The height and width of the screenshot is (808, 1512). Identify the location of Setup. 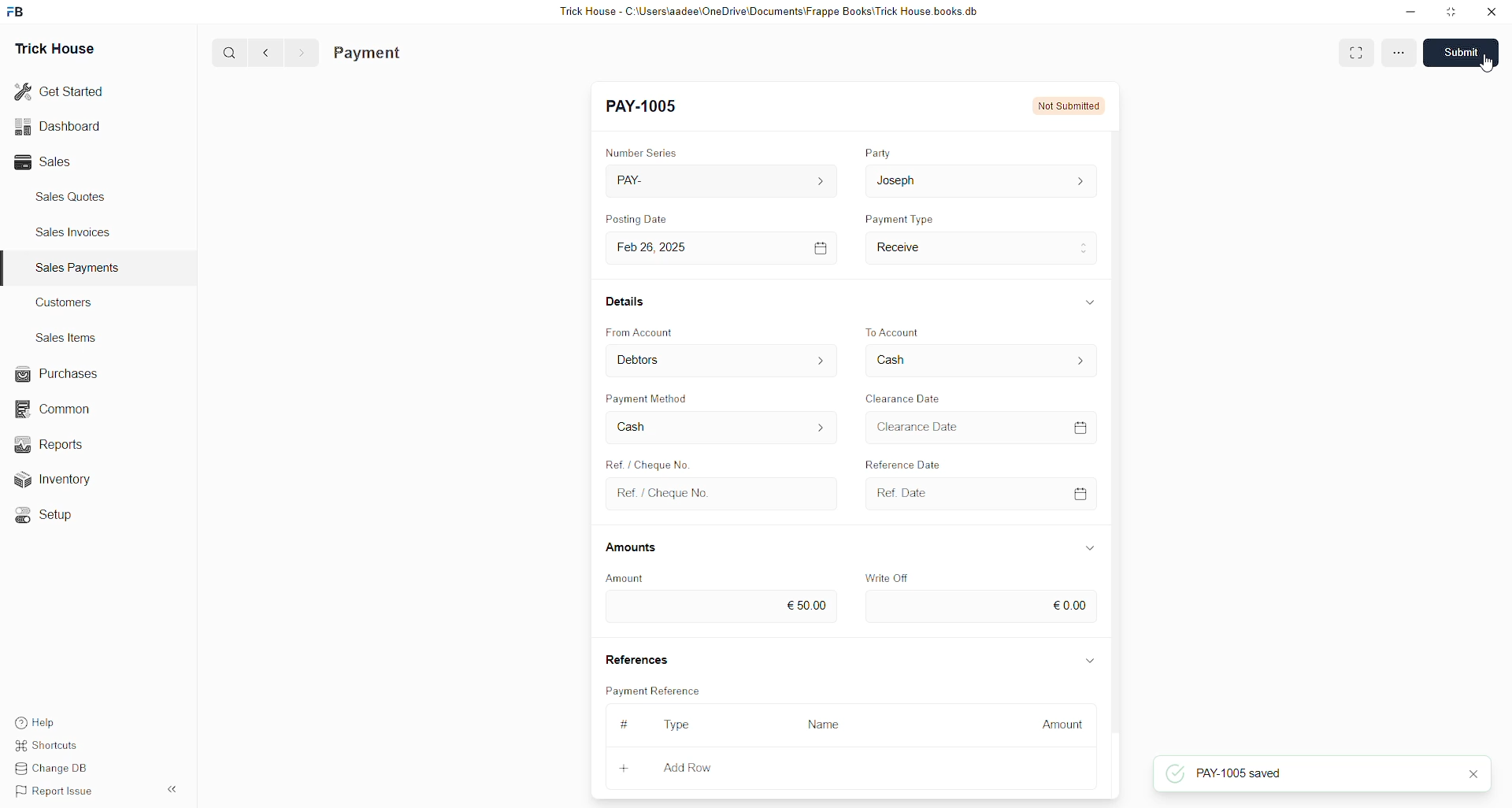
(51, 517).